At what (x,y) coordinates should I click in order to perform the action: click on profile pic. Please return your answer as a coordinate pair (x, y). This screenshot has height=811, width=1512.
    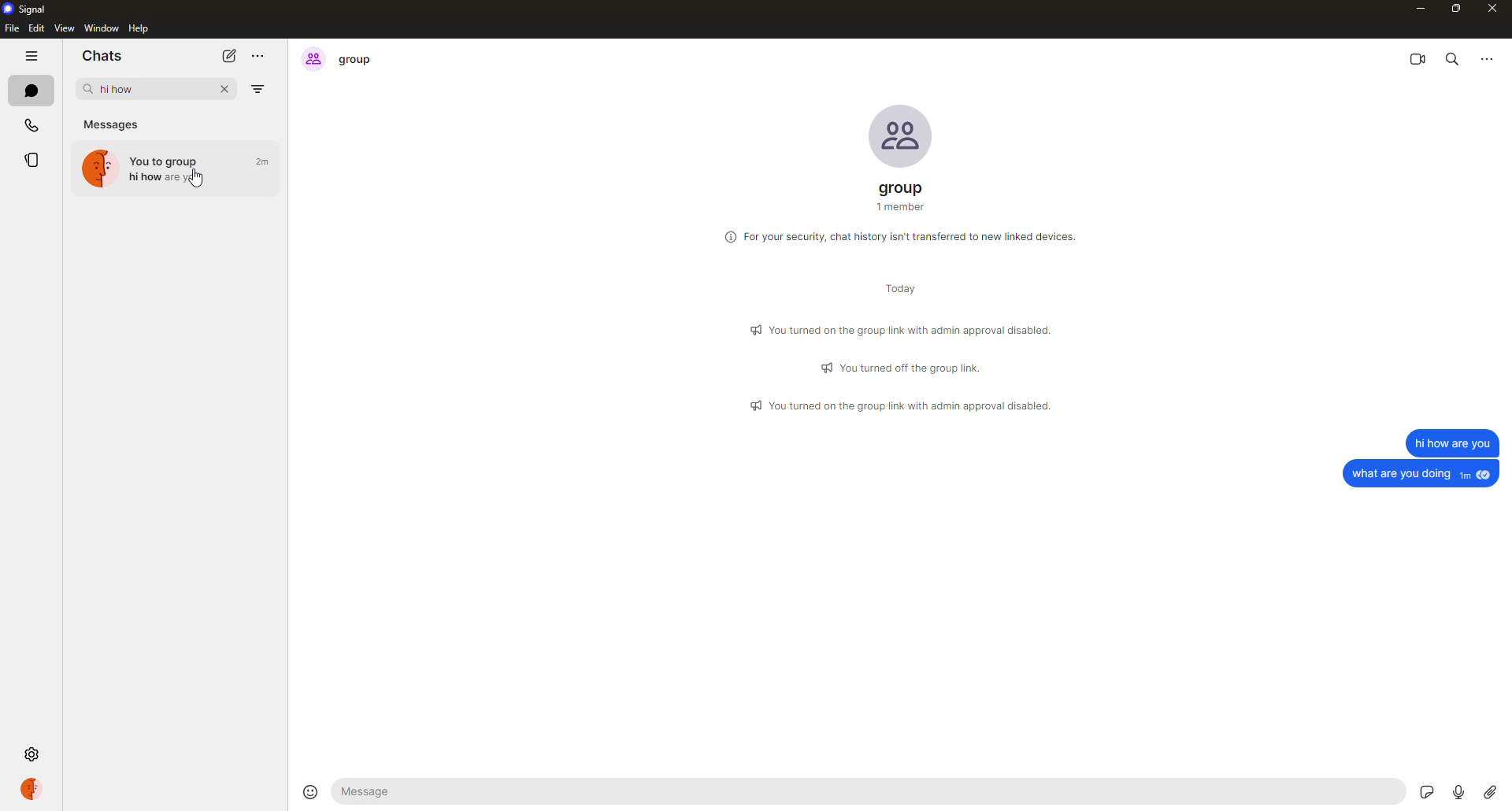
    Looking at the image, I should click on (899, 135).